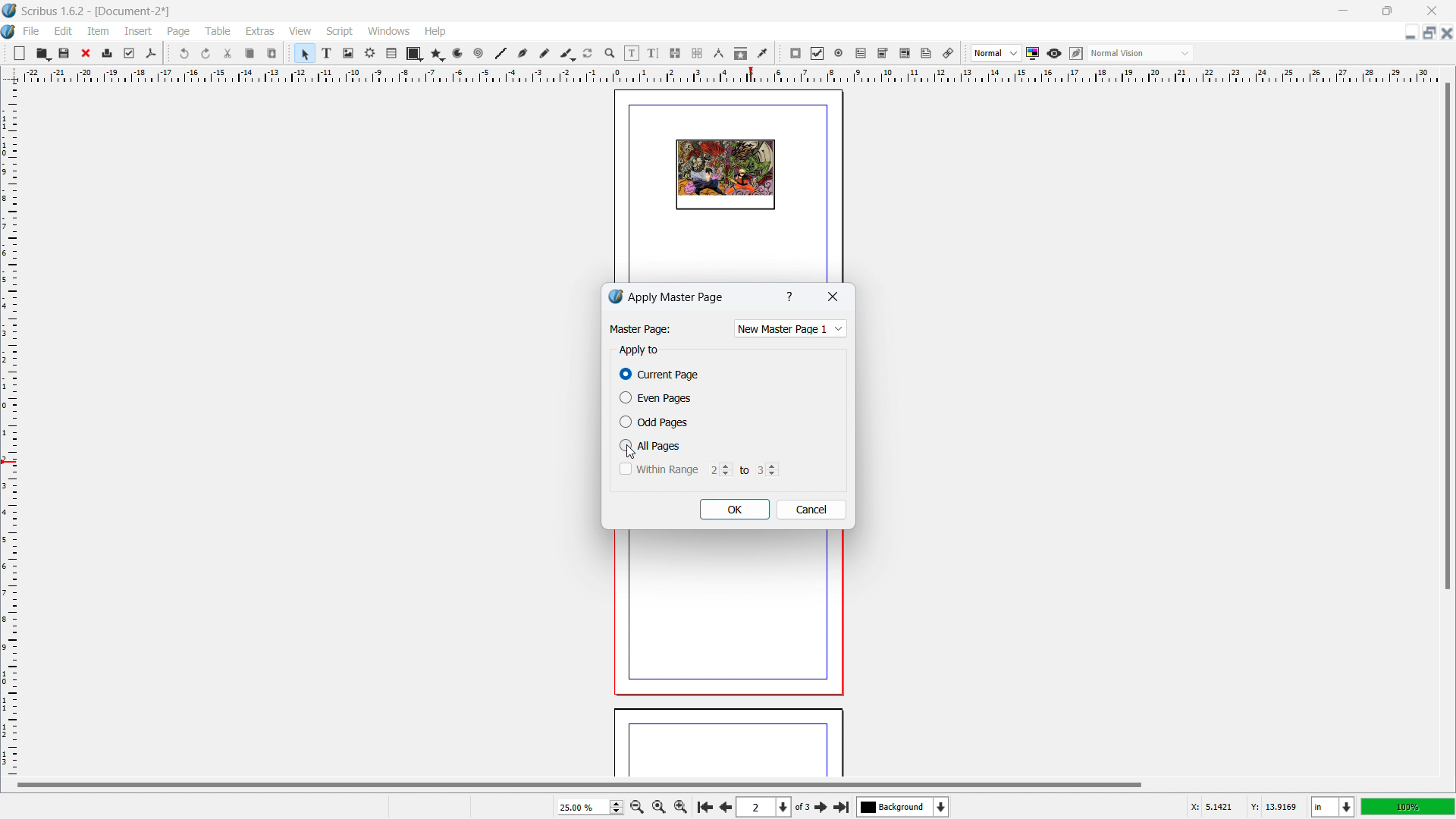  Describe the element at coordinates (676, 54) in the screenshot. I see `link text frames` at that location.